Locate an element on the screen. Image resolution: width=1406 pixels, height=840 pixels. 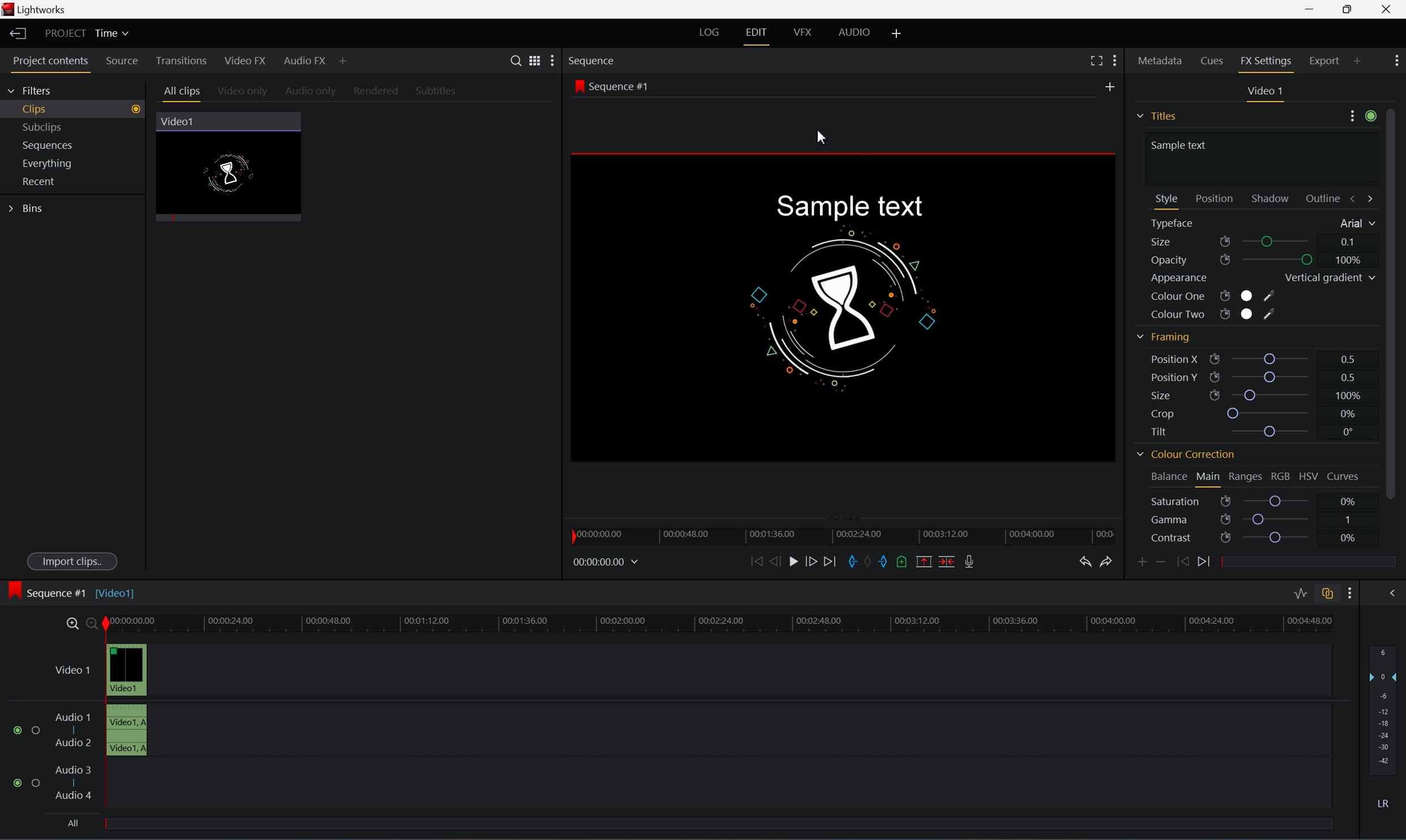
more is located at coordinates (1362, 118).